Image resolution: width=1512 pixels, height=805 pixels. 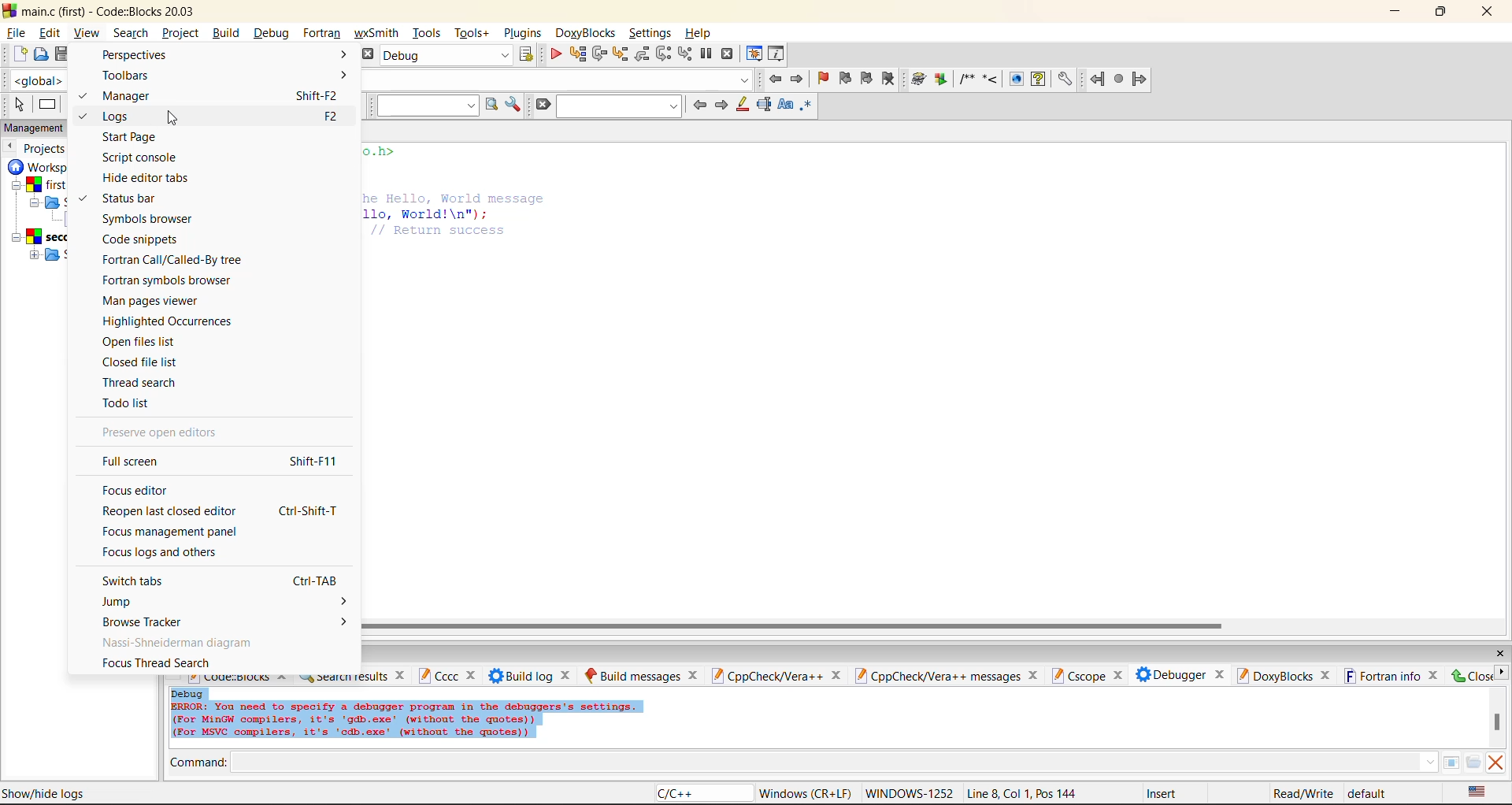 I want to click on workspaces, so click(x=39, y=214).